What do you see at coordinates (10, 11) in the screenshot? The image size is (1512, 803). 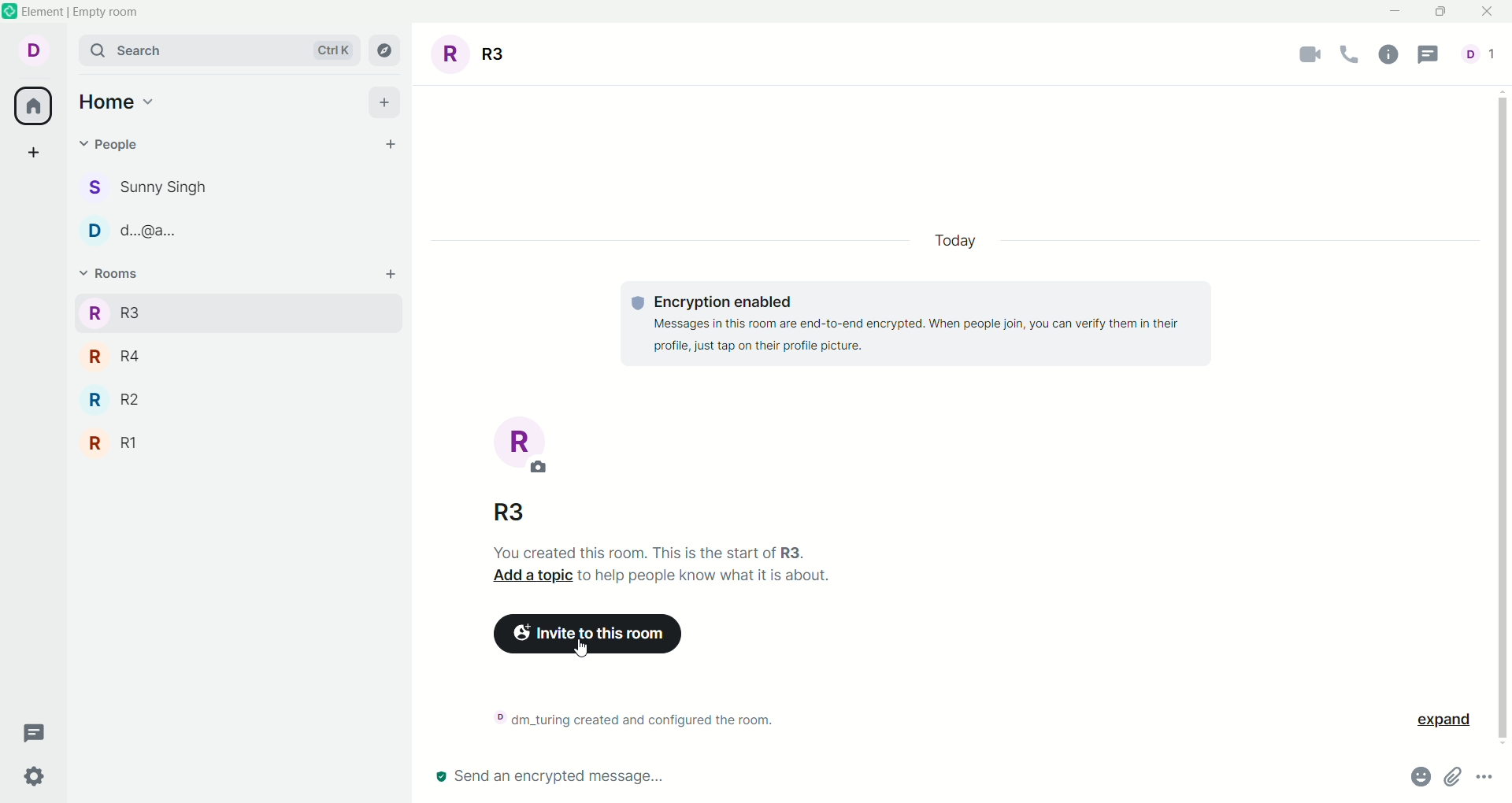 I see `logo` at bounding box center [10, 11].